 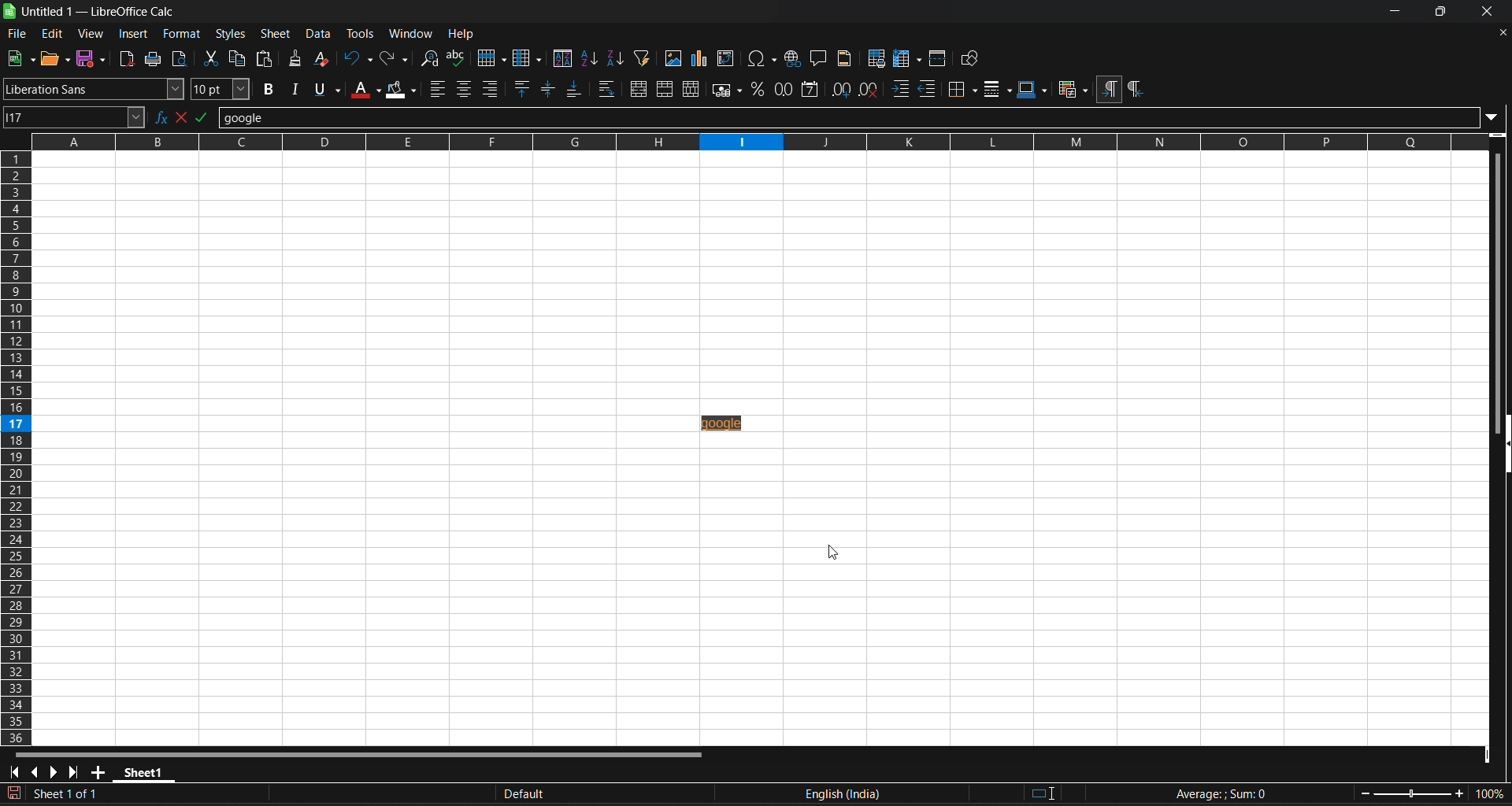 What do you see at coordinates (99, 12) in the screenshot?
I see `title` at bounding box center [99, 12].